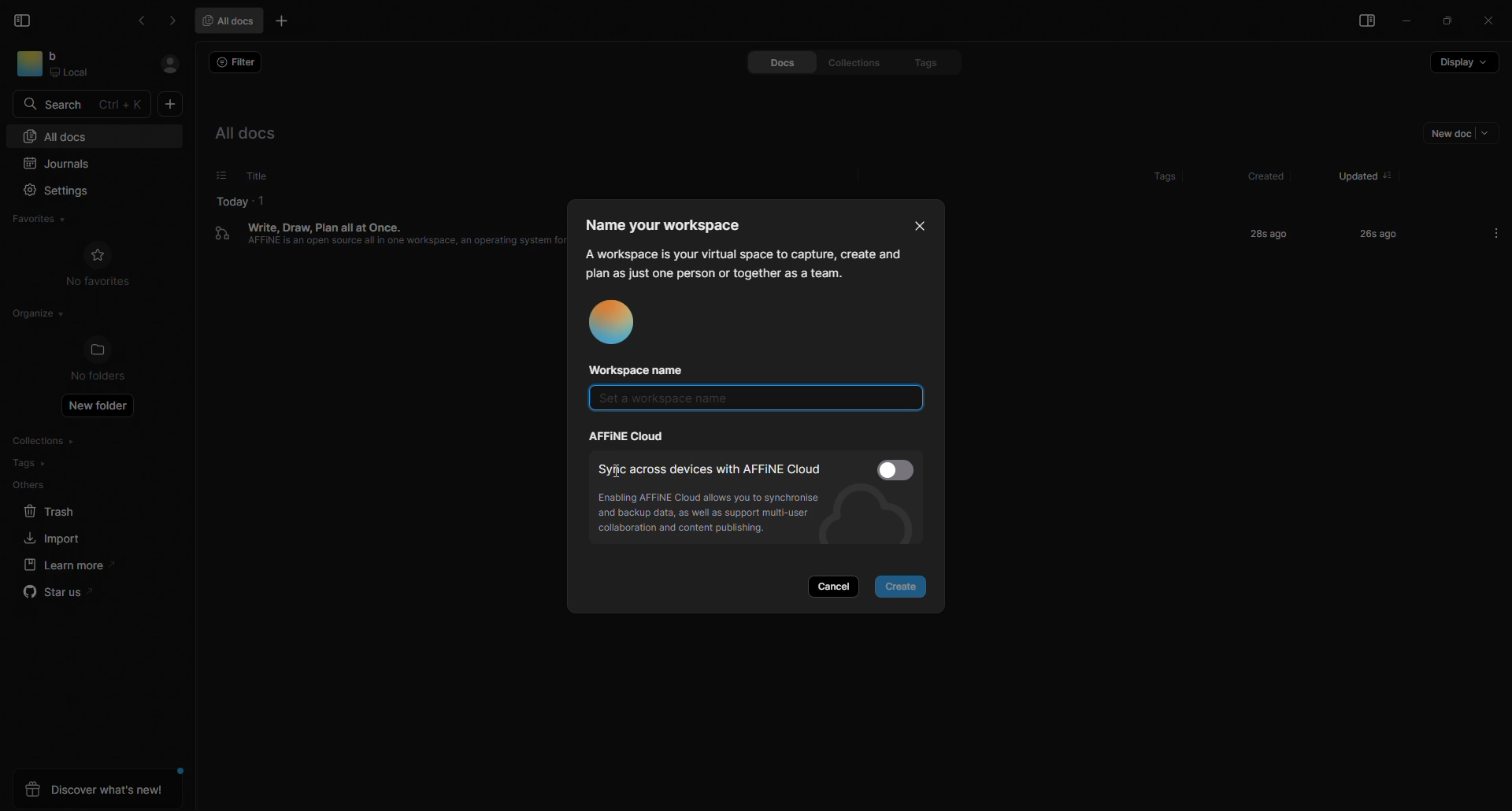 Image resolution: width=1512 pixels, height=811 pixels. I want to click on create, so click(905, 587).